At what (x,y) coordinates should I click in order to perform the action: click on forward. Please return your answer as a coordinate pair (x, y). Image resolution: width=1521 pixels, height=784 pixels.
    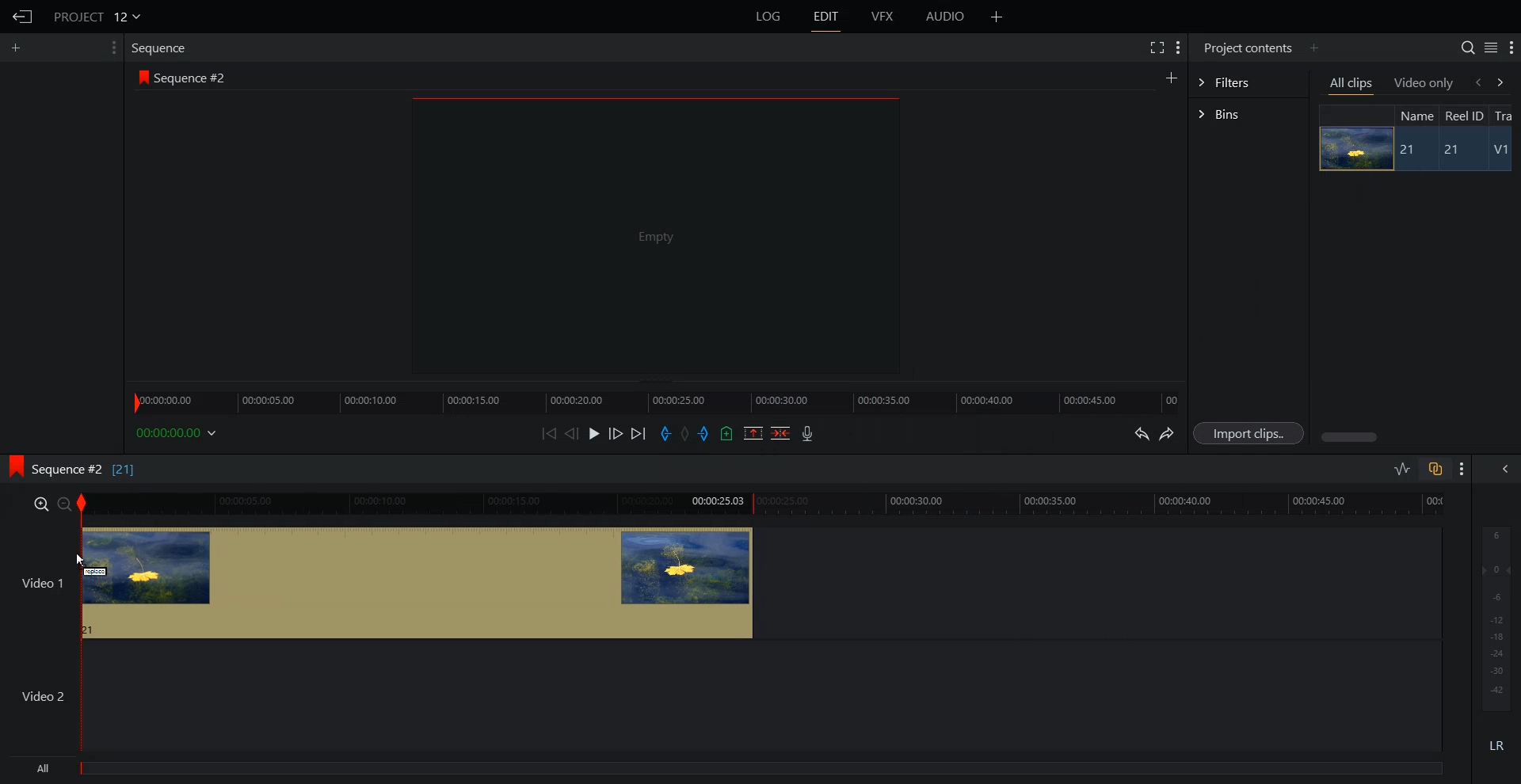
    Looking at the image, I should click on (1504, 82).